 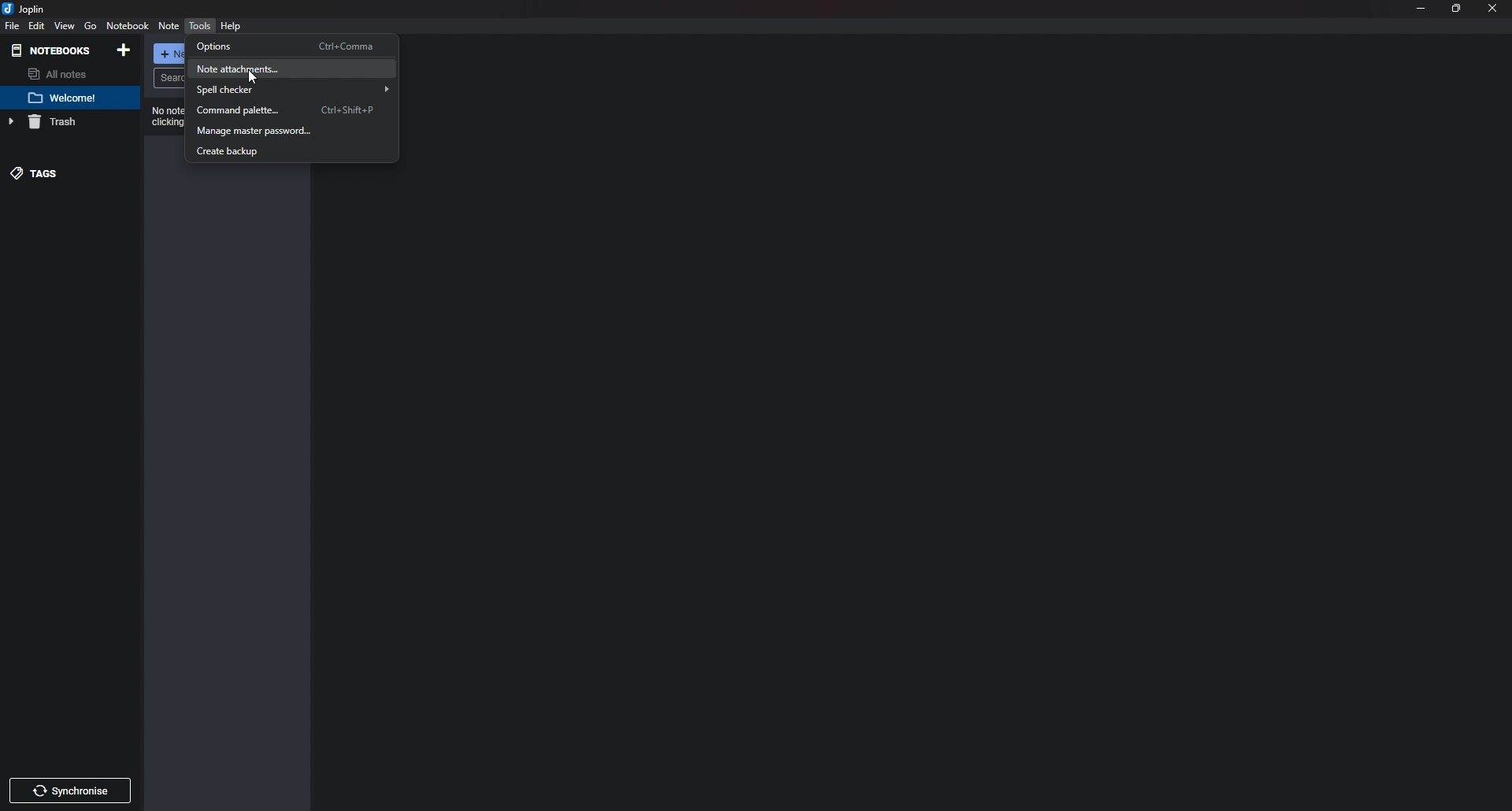 What do you see at coordinates (291, 46) in the screenshot?
I see `Options` at bounding box center [291, 46].